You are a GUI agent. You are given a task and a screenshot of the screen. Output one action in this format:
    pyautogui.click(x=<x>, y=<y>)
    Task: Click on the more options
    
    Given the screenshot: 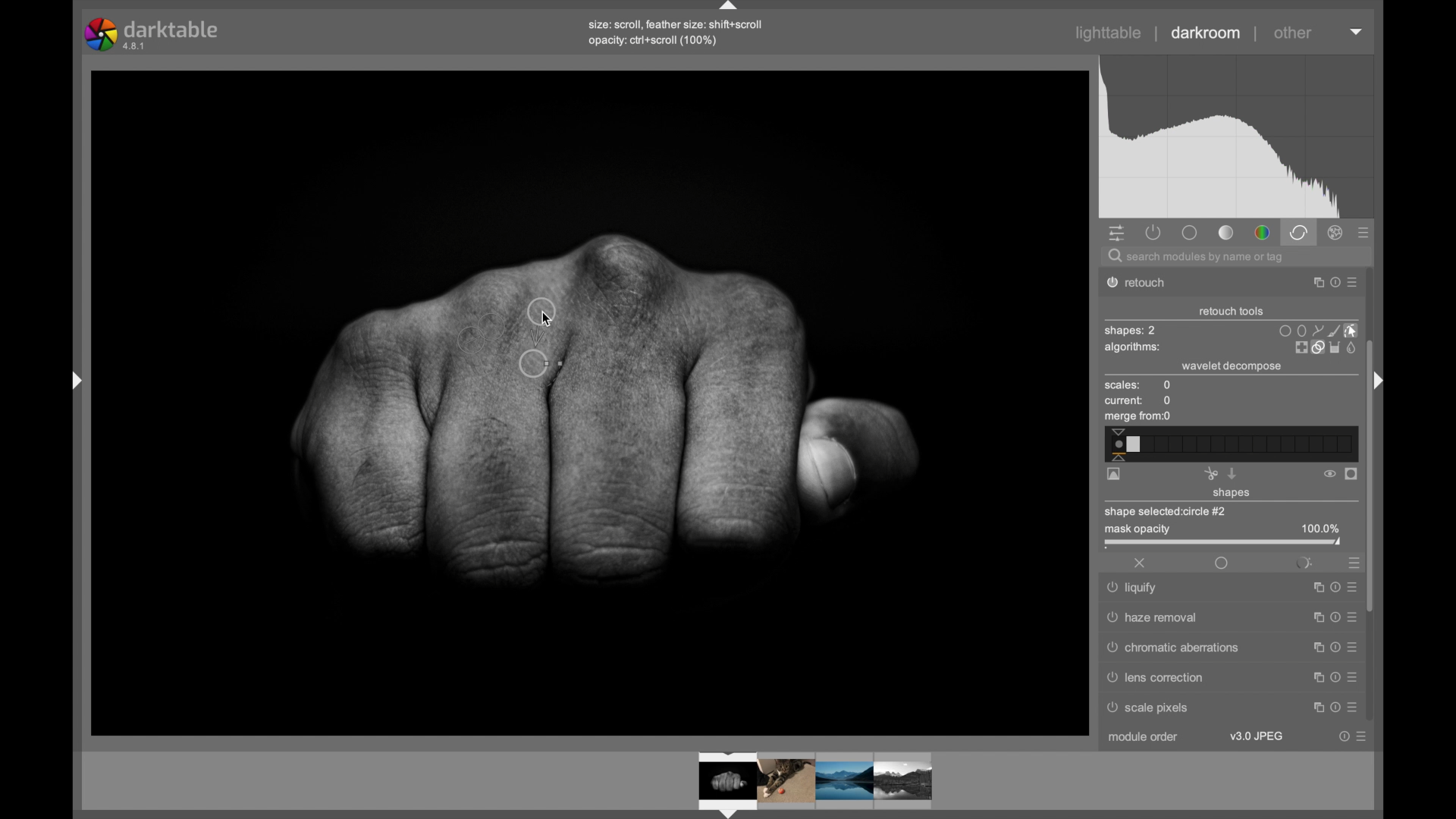 What is the action you would take?
    pyautogui.click(x=1351, y=617)
    